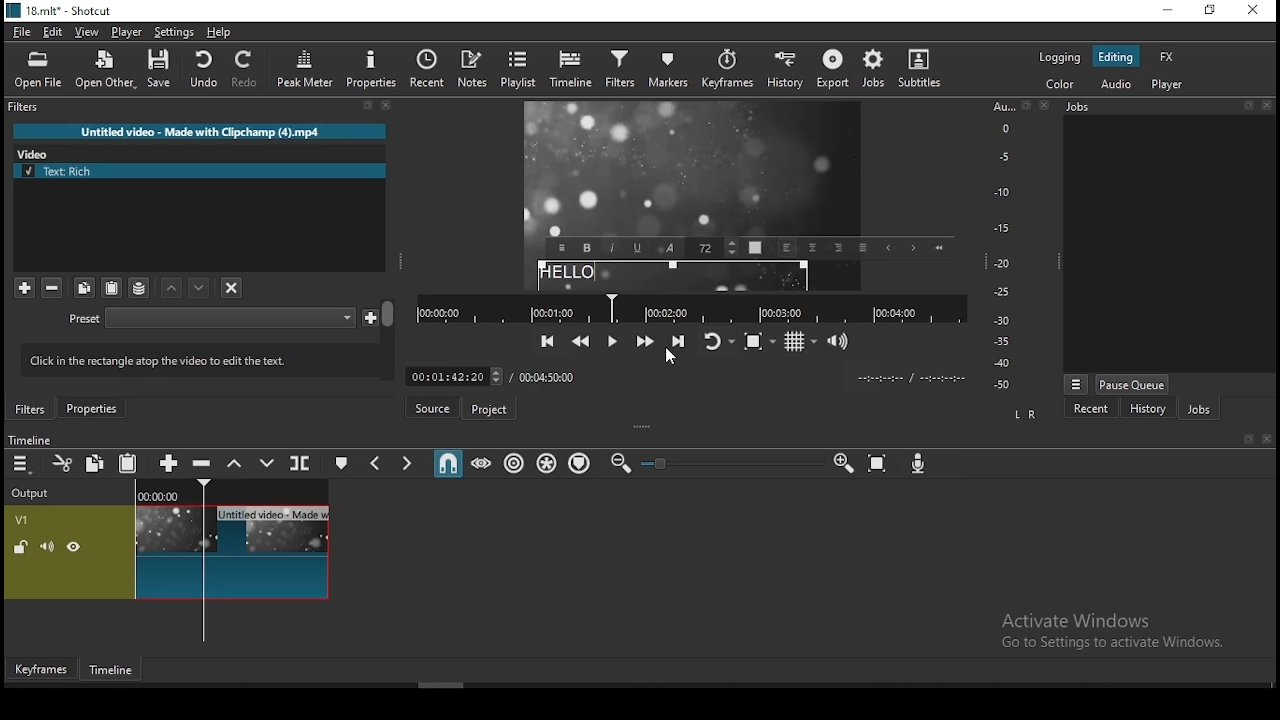 This screenshot has height=720, width=1280. Describe the element at coordinates (513, 463) in the screenshot. I see `ripple` at that location.